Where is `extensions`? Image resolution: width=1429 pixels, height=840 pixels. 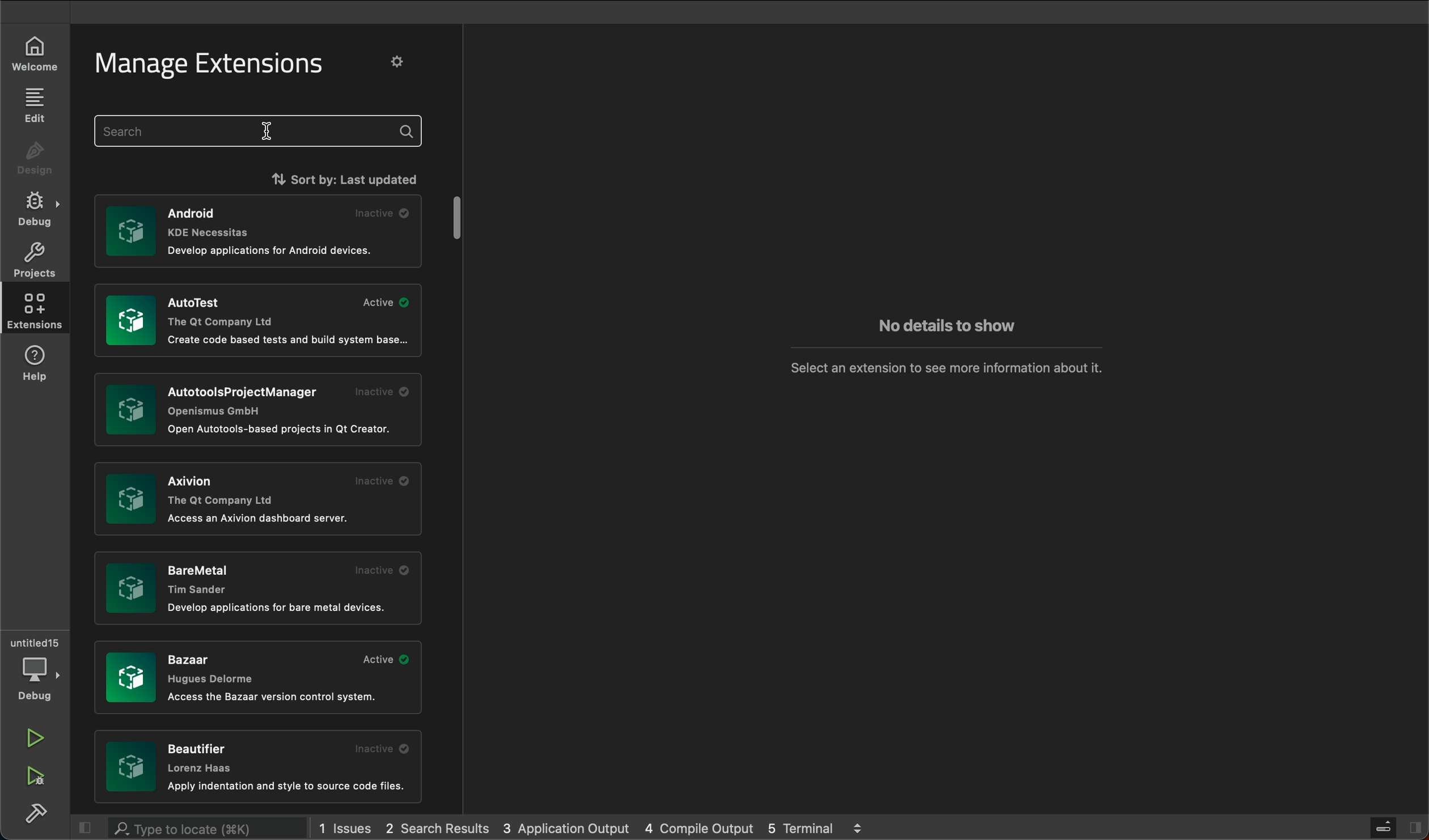
extensions is located at coordinates (32, 310).